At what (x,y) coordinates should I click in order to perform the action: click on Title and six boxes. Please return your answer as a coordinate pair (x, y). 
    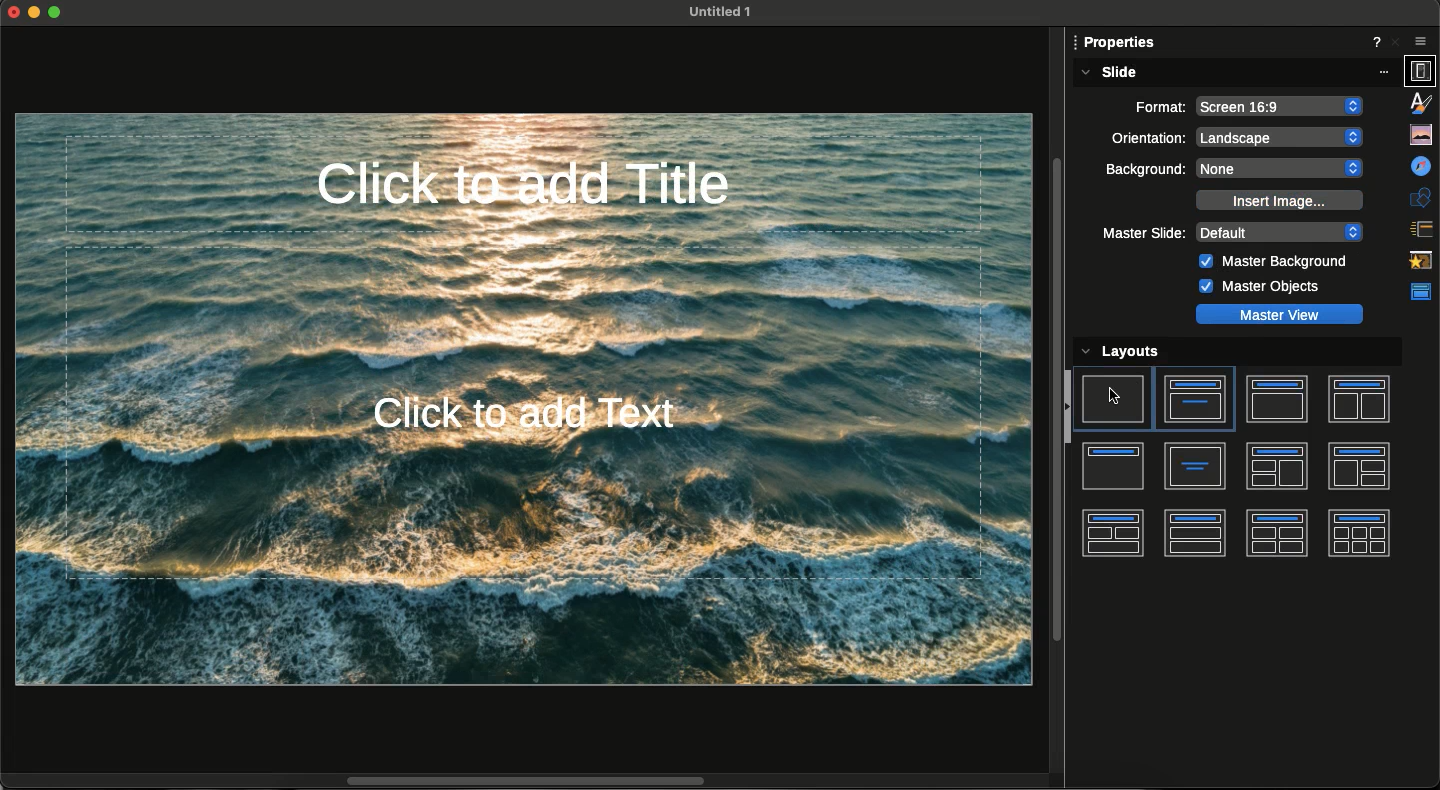
    Looking at the image, I should click on (1359, 533).